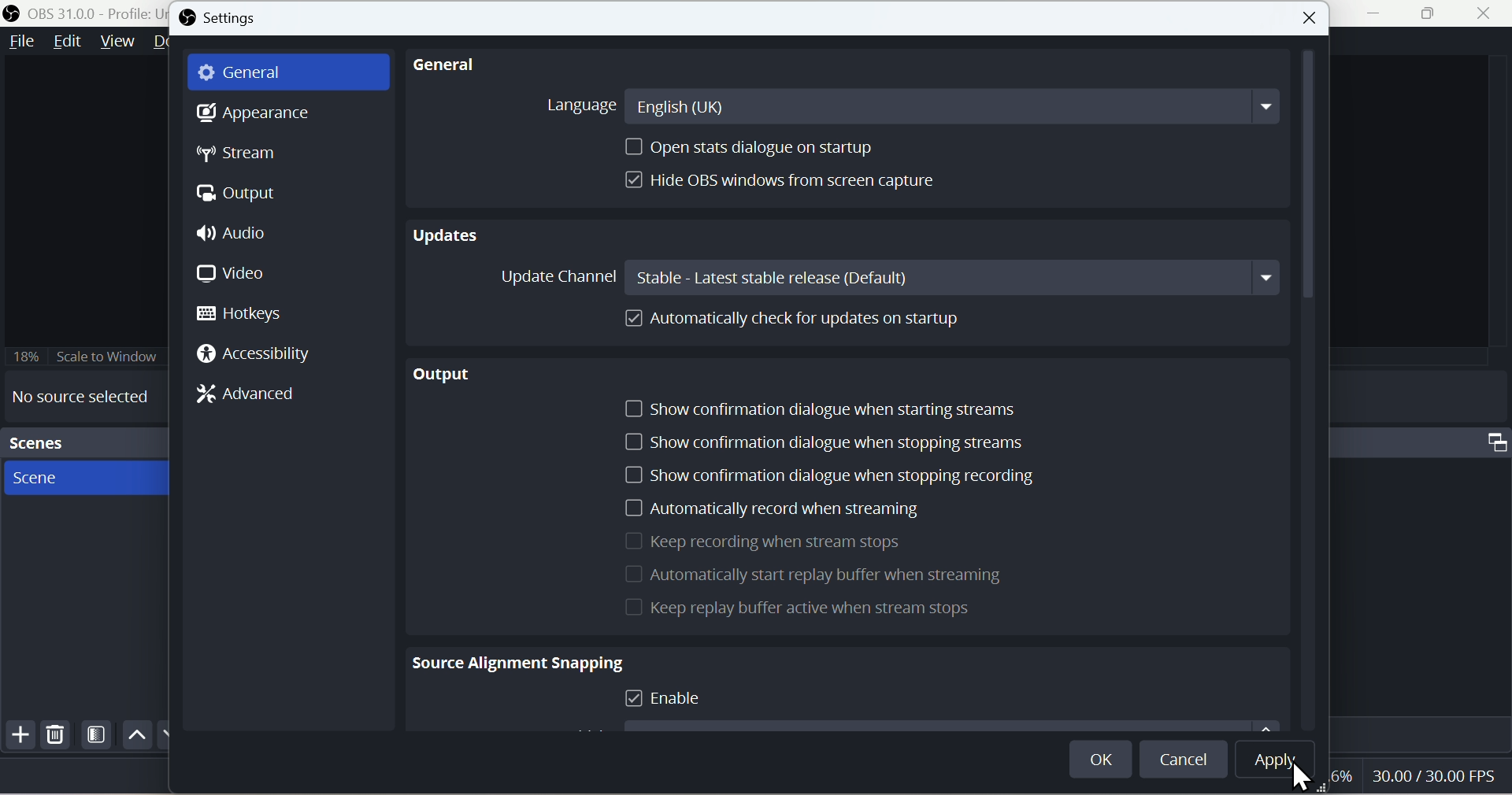 The image size is (1512, 795). Describe the element at coordinates (831, 442) in the screenshot. I see `Show confirmation dialogue when stopping streams` at that location.